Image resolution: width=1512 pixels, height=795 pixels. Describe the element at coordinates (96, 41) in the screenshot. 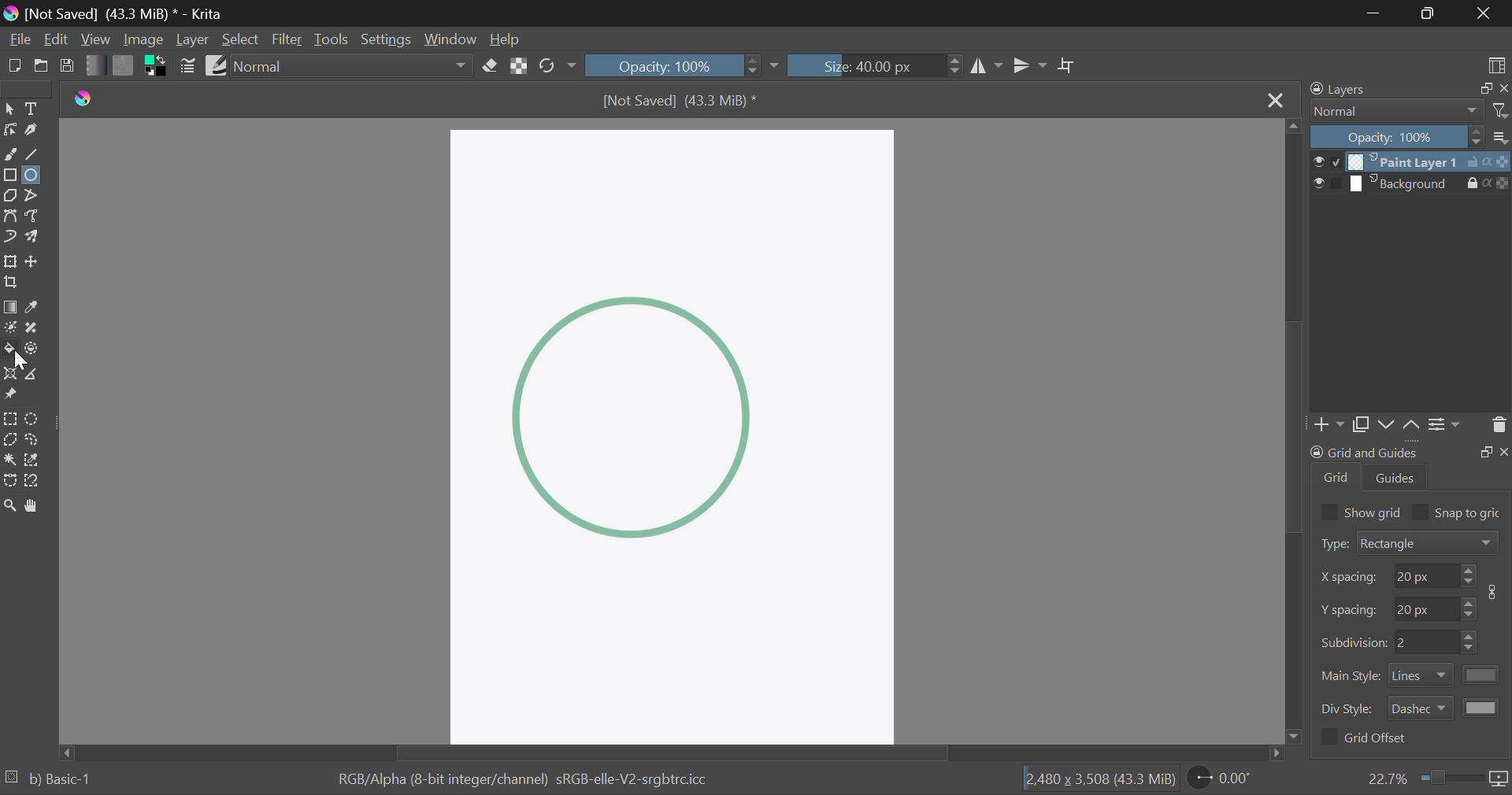

I see `View` at that location.